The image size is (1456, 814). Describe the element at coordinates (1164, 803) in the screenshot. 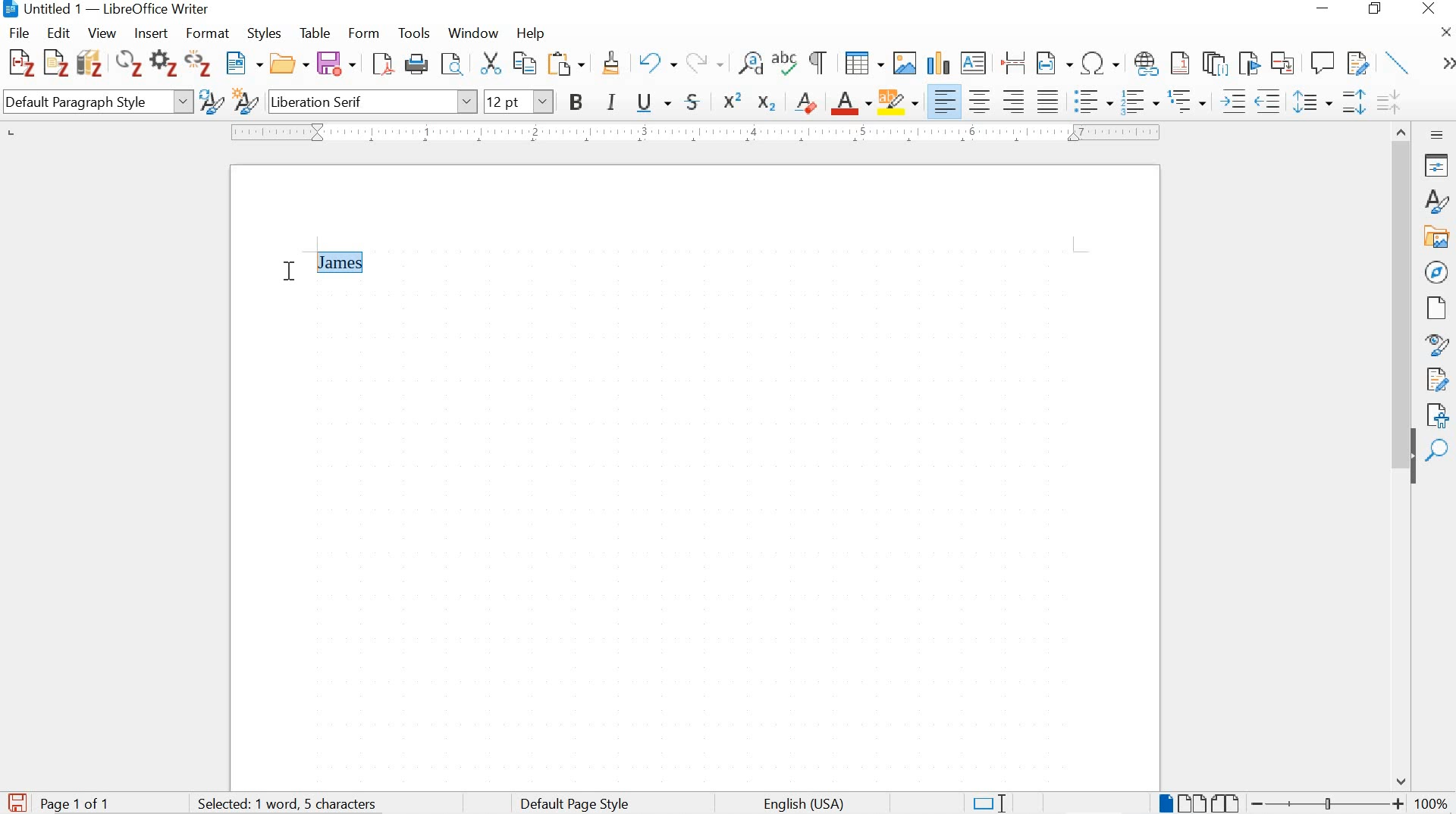

I see `single page view` at that location.